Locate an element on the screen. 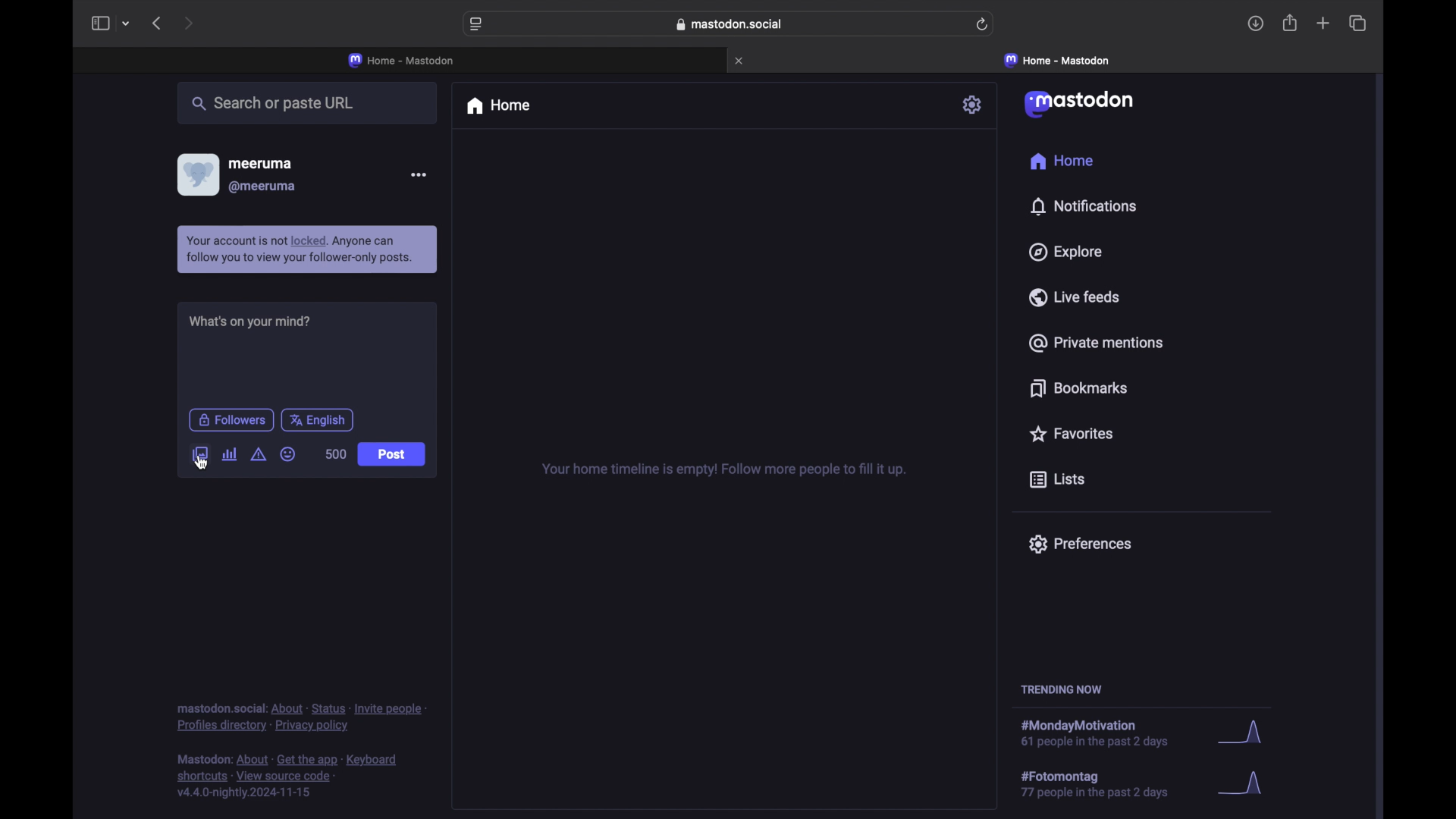 The height and width of the screenshot is (819, 1456). followers is located at coordinates (231, 420).